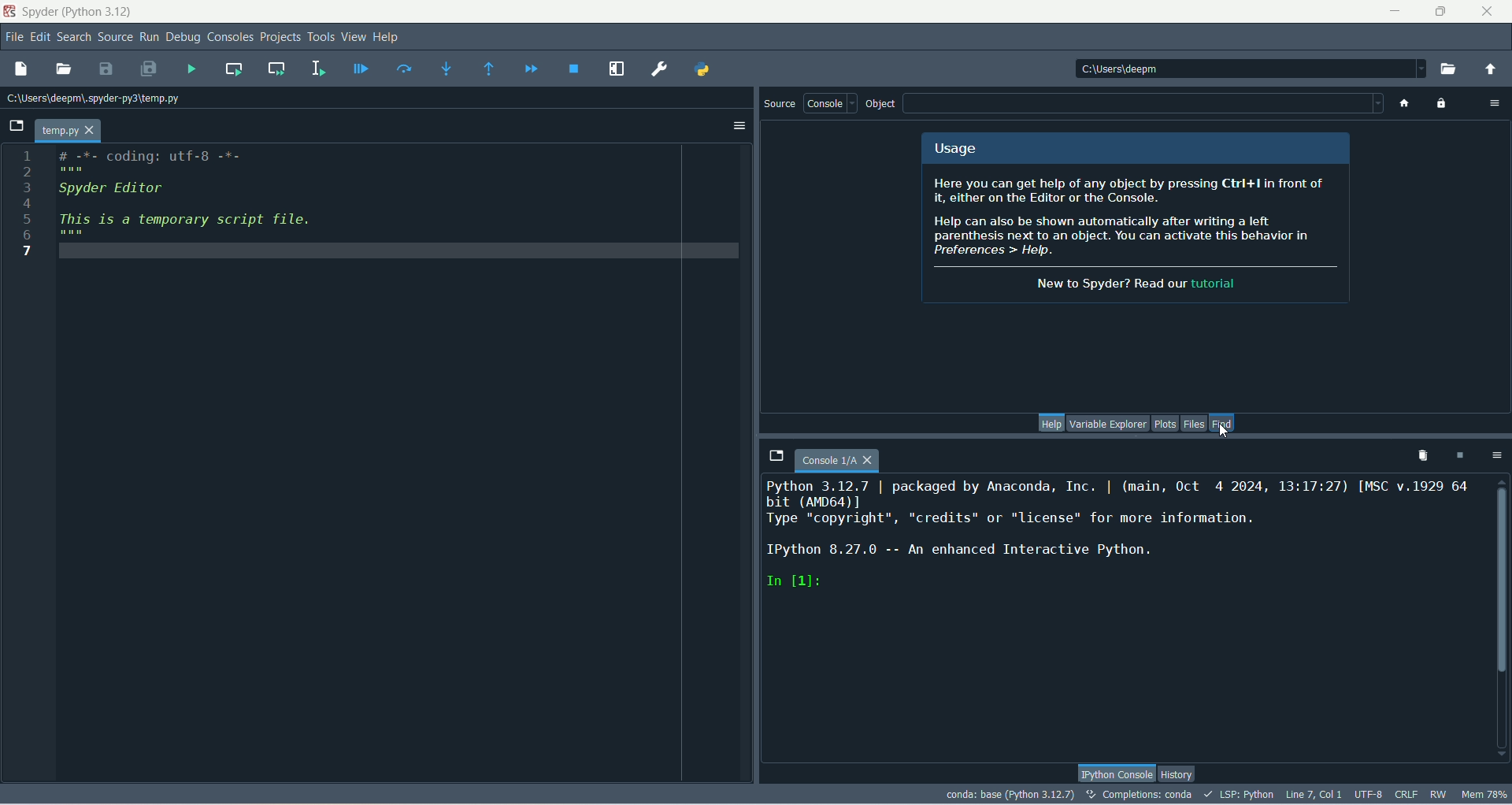 Image resolution: width=1512 pixels, height=805 pixels. What do you see at coordinates (448, 69) in the screenshot?
I see `step into function` at bounding box center [448, 69].